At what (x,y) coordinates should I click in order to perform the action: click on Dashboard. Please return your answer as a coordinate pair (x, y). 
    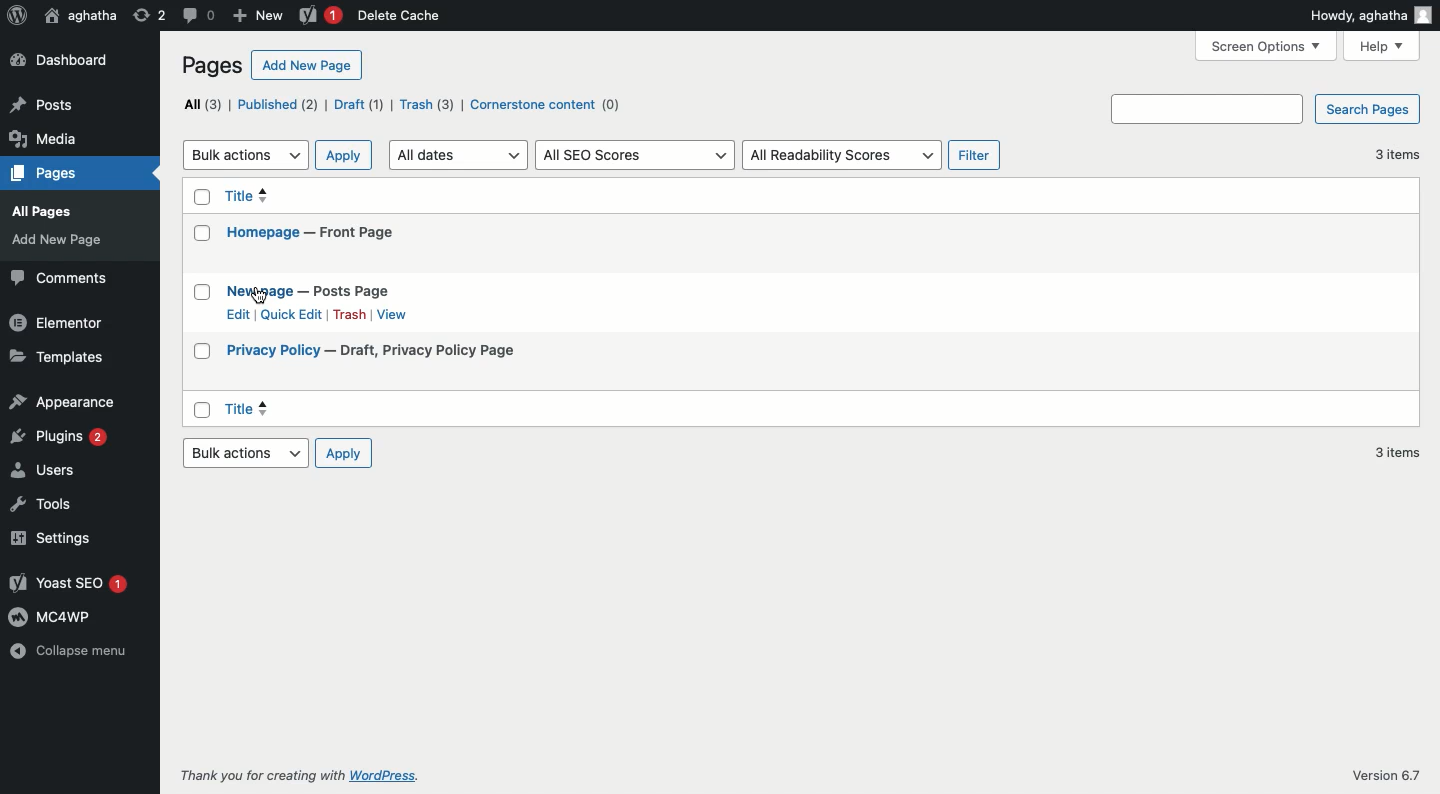
    Looking at the image, I should click on (62, 61).